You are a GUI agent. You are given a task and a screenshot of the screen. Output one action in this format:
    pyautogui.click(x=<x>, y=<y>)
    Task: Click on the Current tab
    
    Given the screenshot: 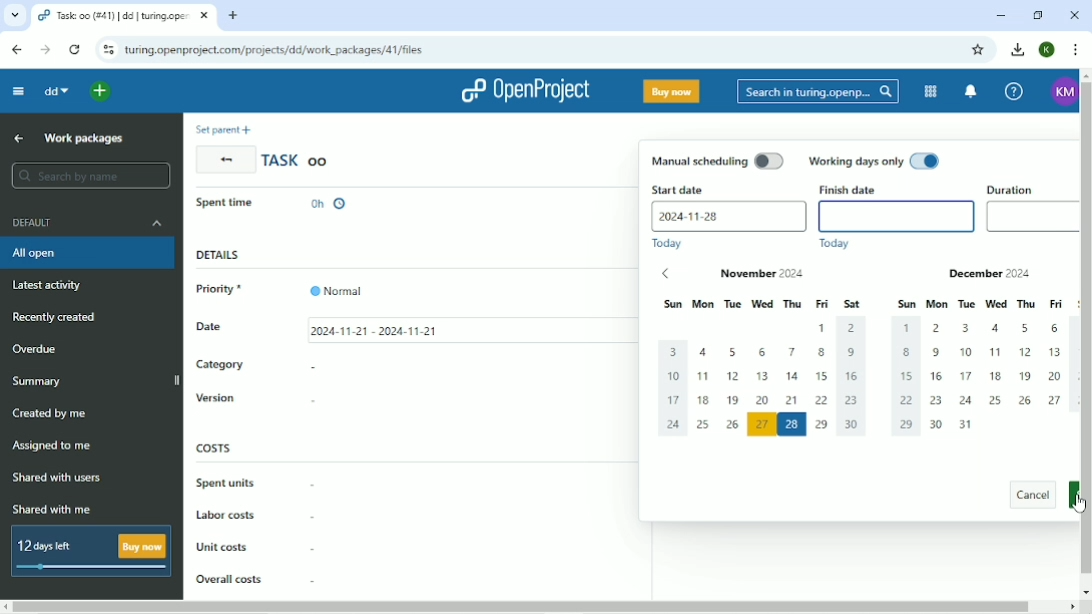 What is the action you would take?
    pyautogui.click(x=124, y=15)
    